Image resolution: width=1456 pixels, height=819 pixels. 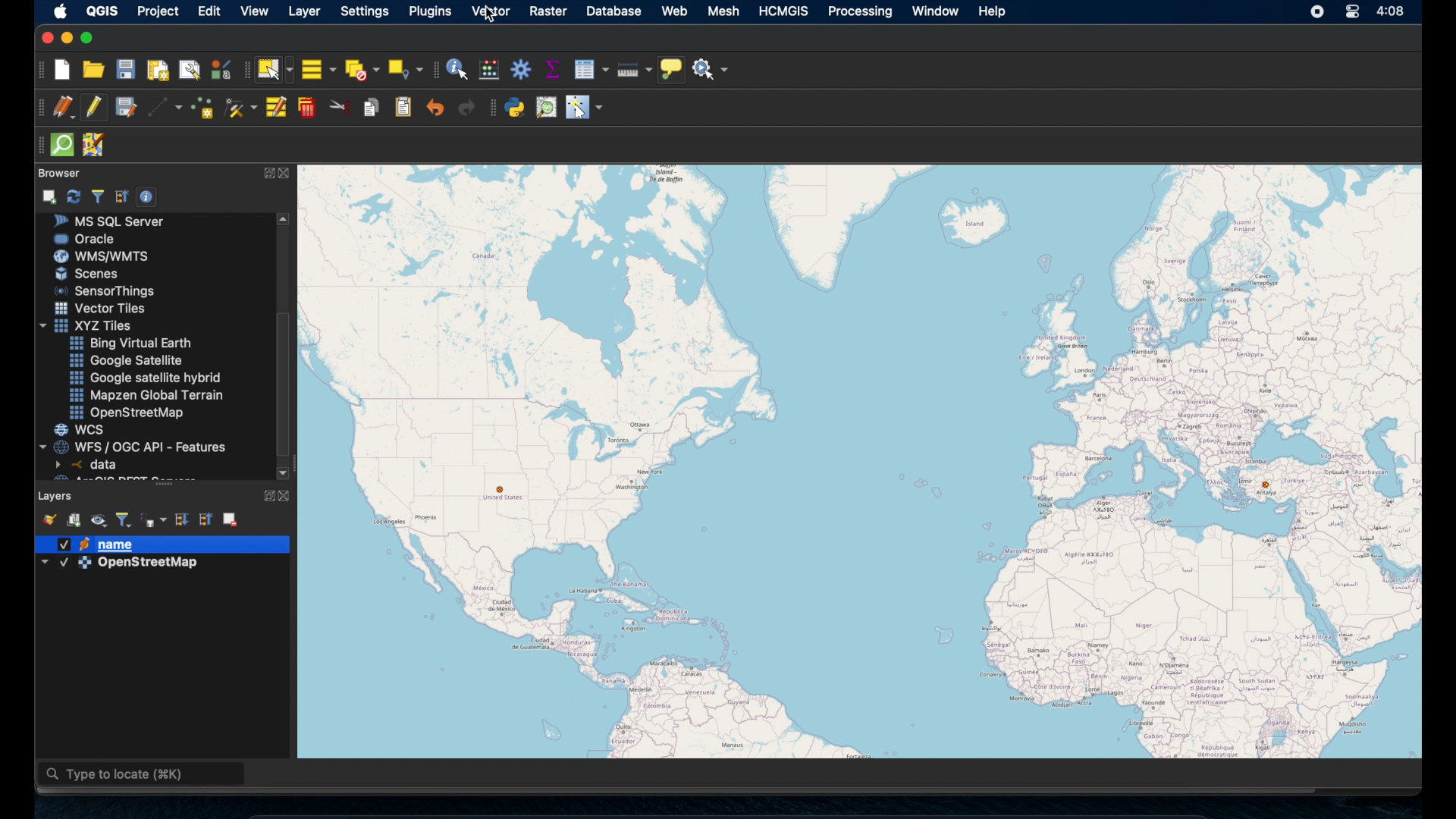 I want to click on project, so click(x=161, y=11).